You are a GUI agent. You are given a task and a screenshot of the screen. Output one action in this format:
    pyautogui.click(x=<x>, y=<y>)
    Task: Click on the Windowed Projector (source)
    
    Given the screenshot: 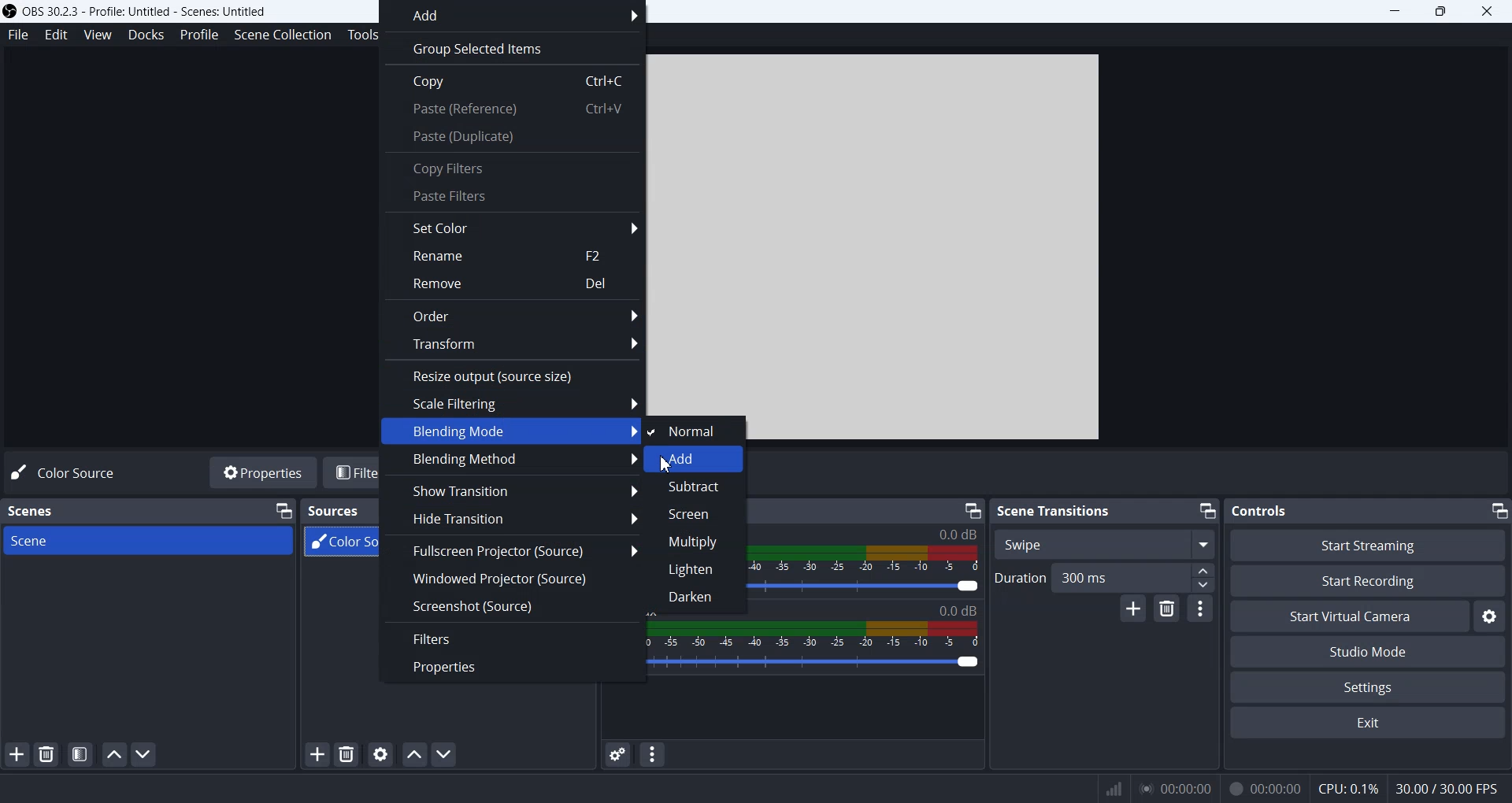 What is the action you would take?
    pyautogui.click(x=513, y=577)
    